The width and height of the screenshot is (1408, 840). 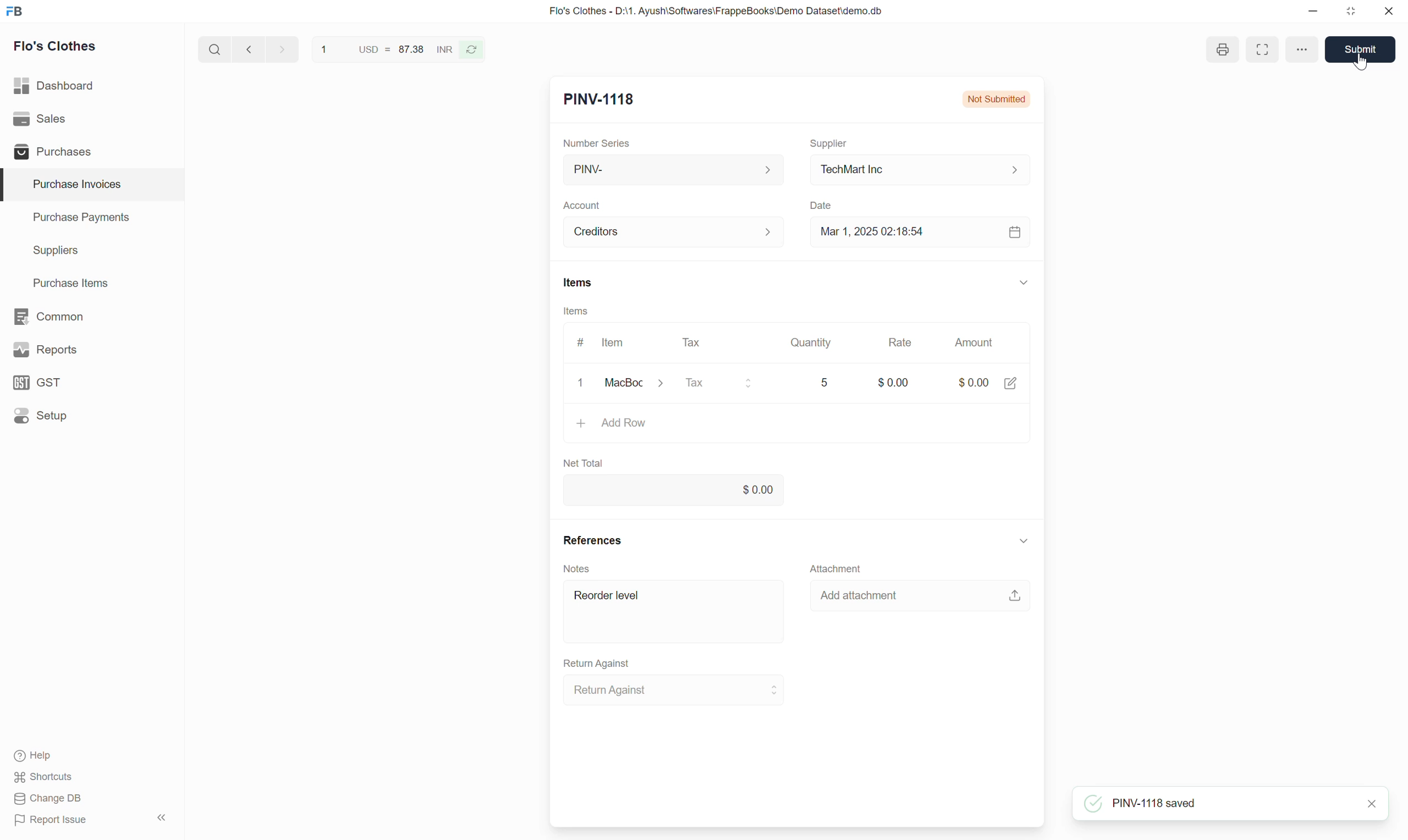 I want to click on Report Issue, so click(x=52, y=820).